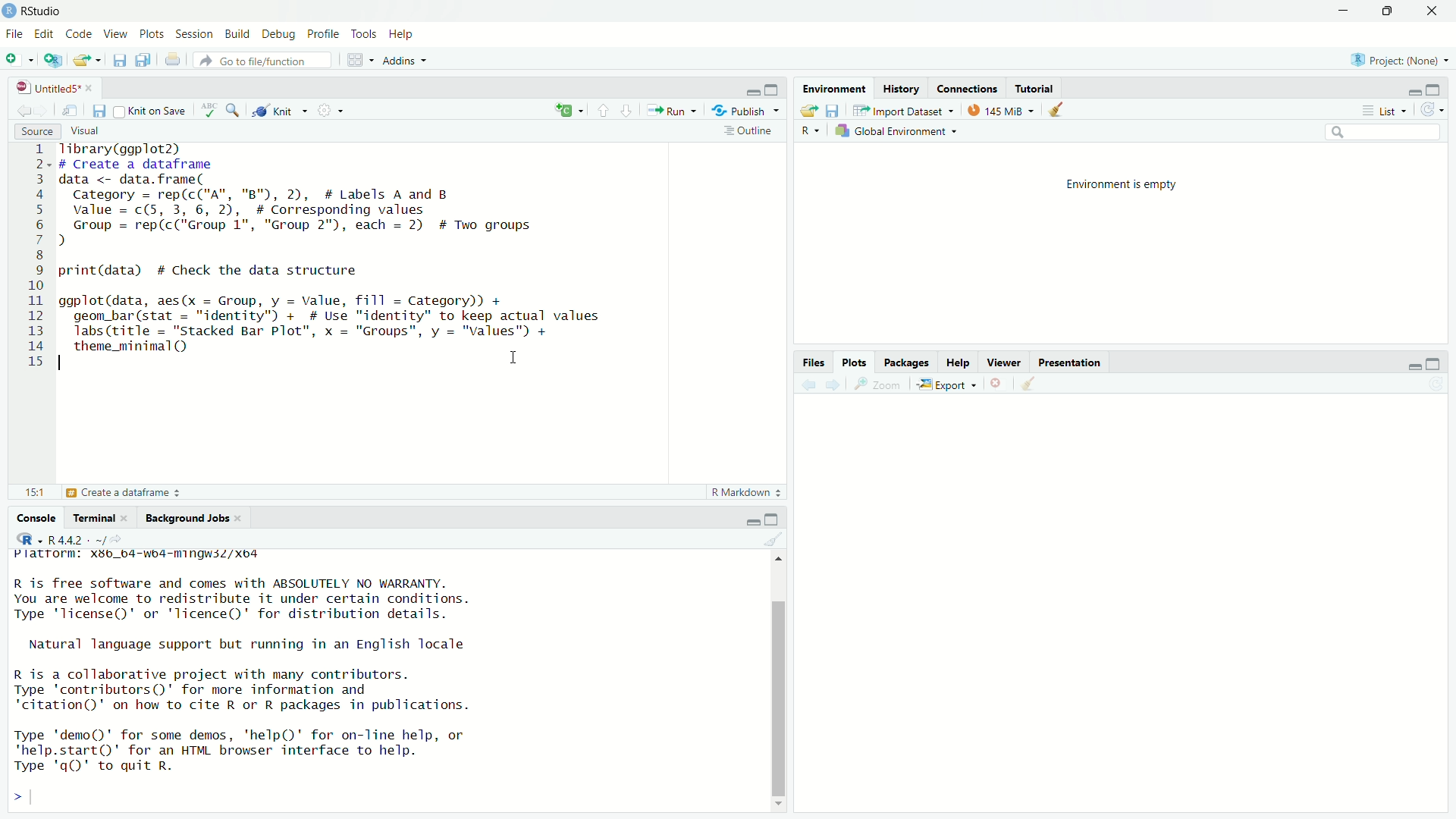 The image size is (1456, 819). Describe the element at coordinates (600, 108) in the screenshot. I see `Go to previous section/chunk (Ctrl + PgUp)` at that location.